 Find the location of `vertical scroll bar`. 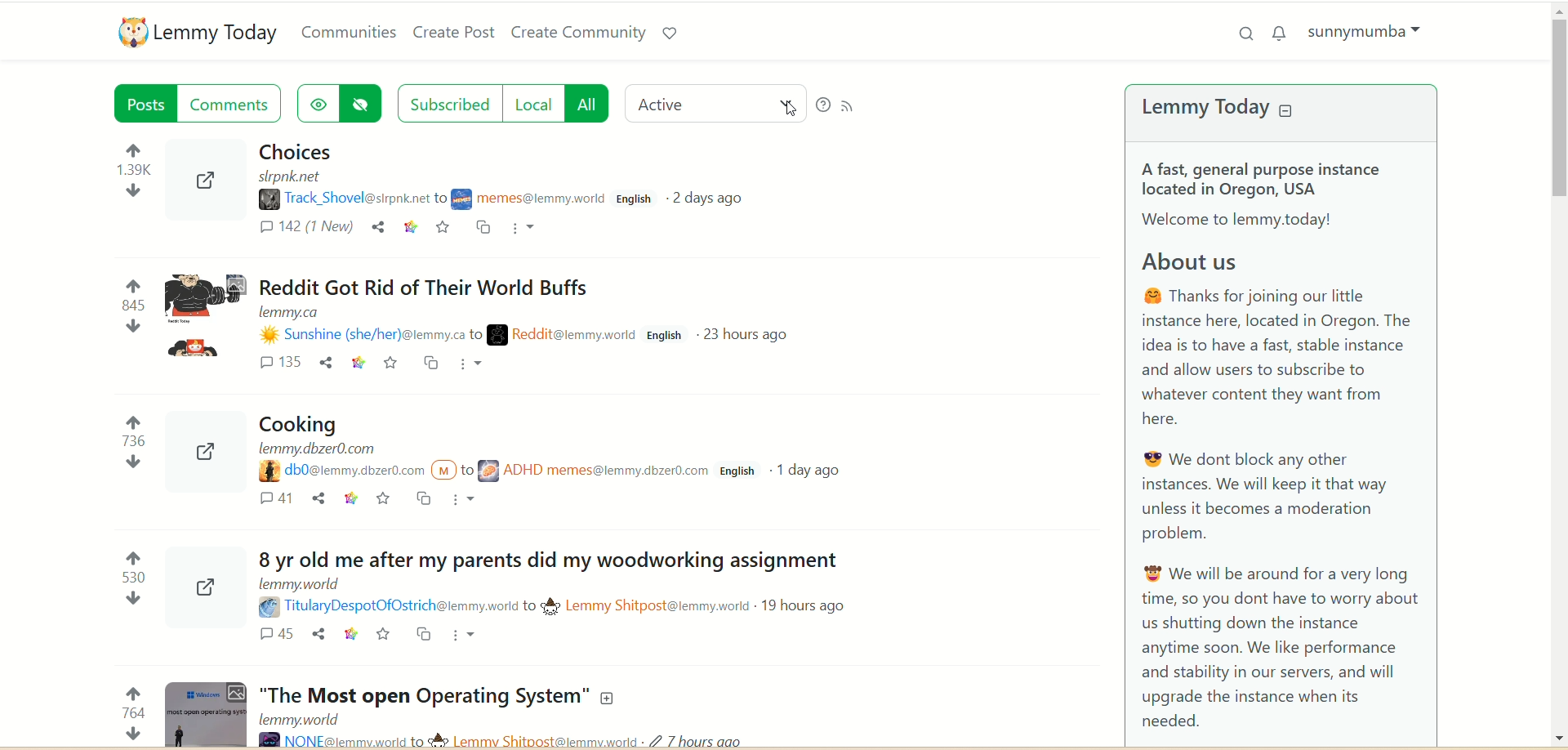

vertical scroll bar is located at coordinates (1558, 376).